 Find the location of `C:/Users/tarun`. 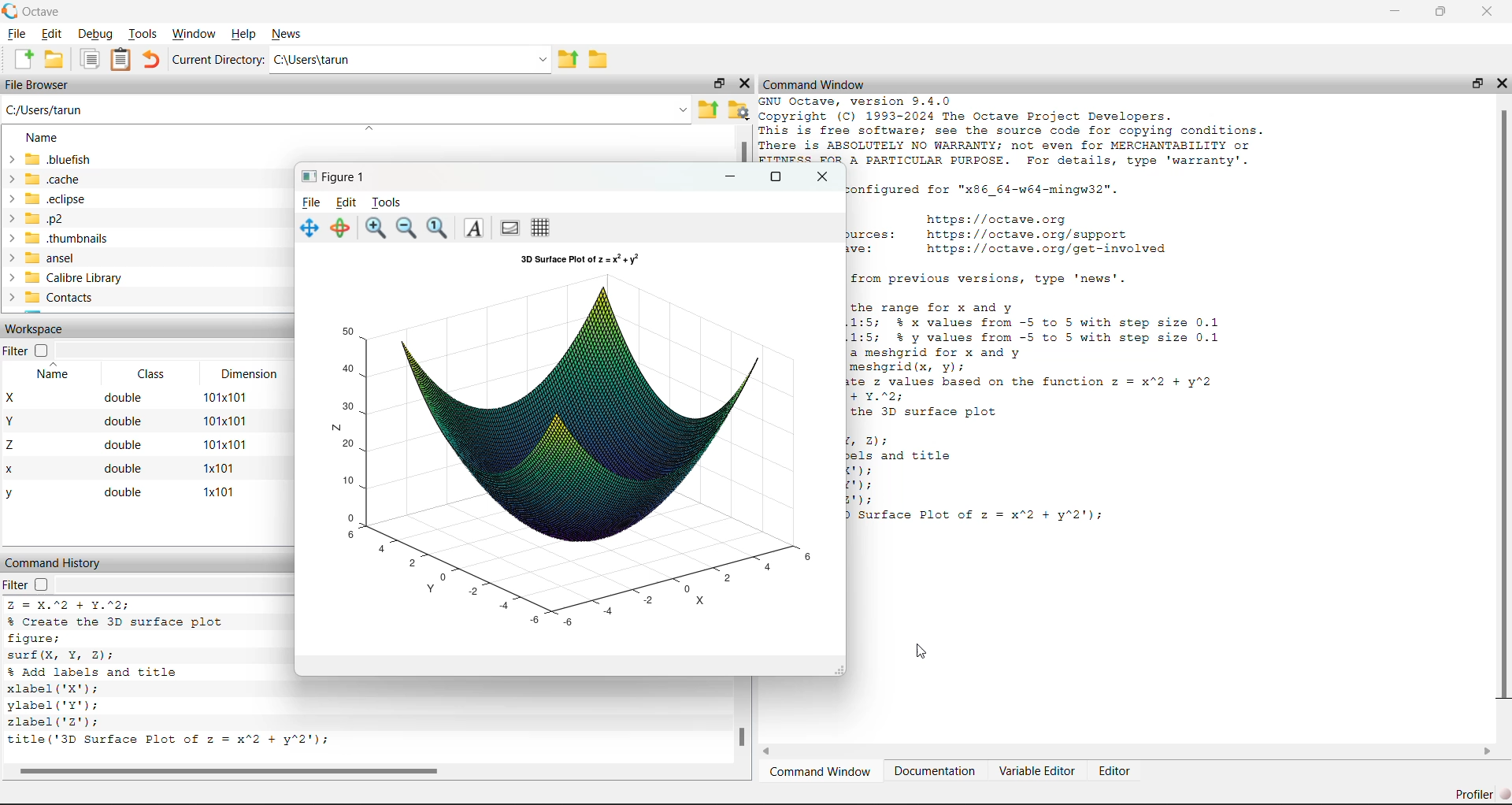

C:/Users/tarun is located at coordinates (347, 109).